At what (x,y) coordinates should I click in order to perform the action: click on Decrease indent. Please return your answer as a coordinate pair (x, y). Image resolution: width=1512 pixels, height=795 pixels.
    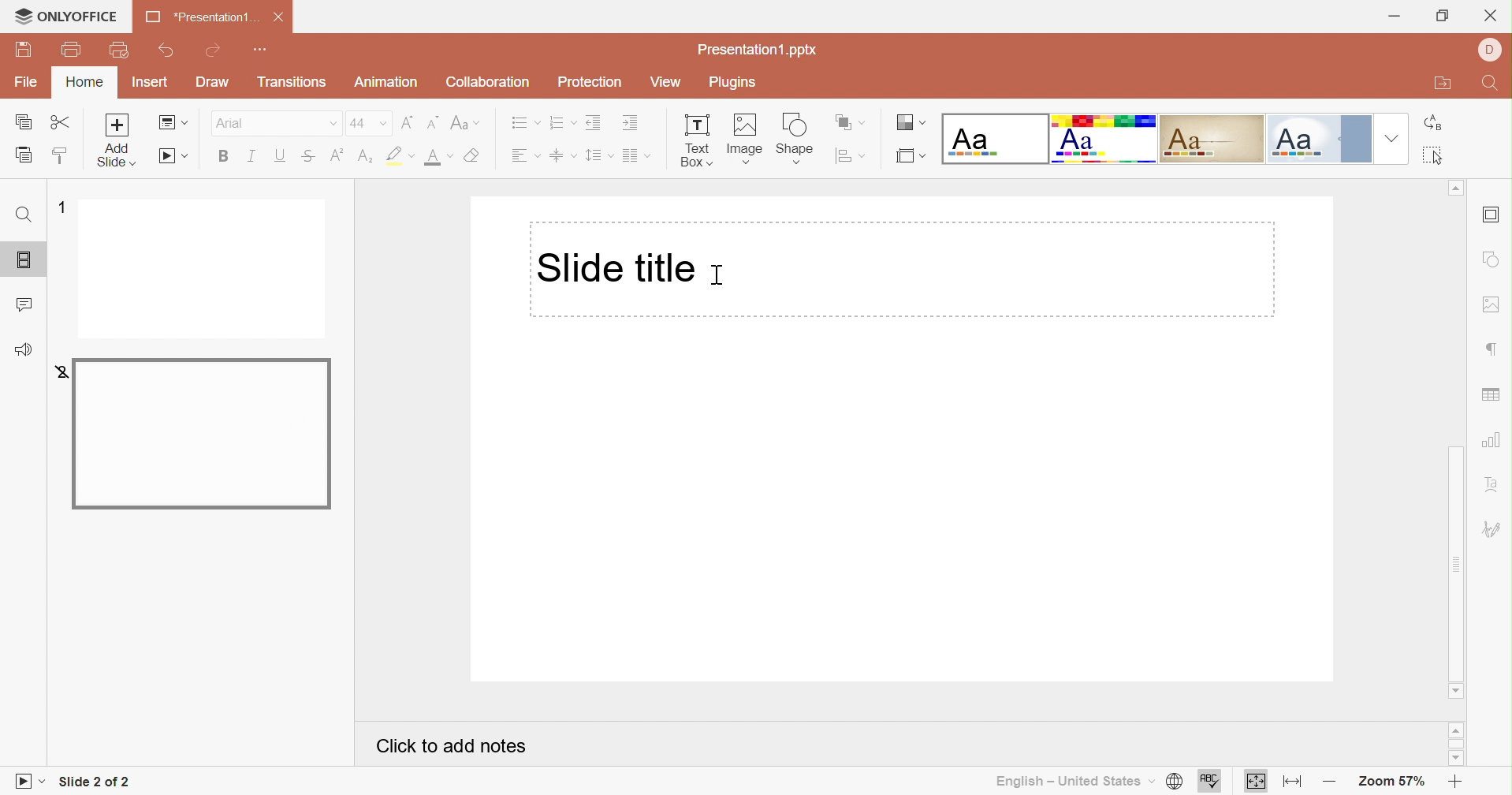
    Looking at the image, I should click on (594, 121).